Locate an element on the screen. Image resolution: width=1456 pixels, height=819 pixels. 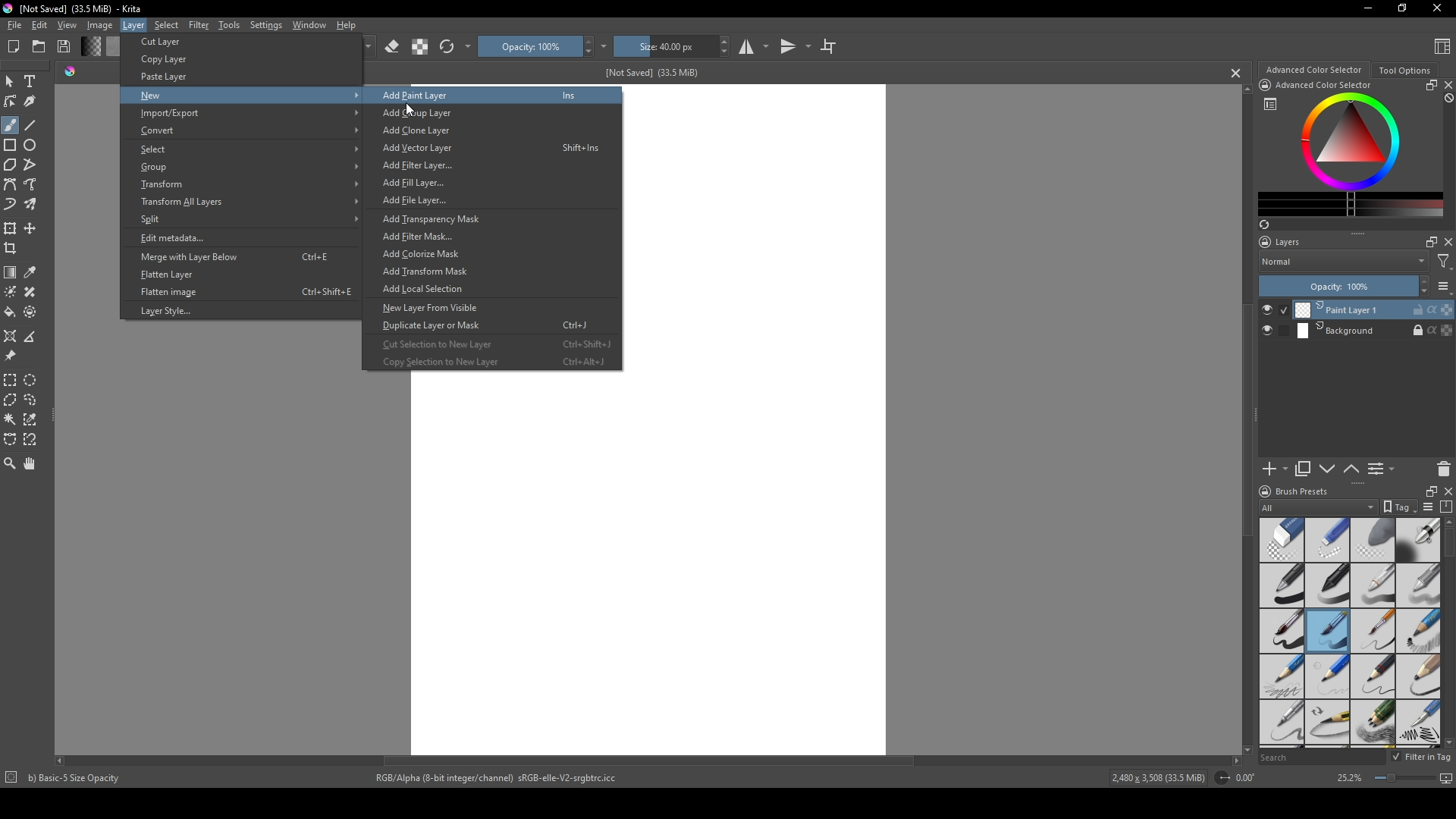
calligraphy pen is located at coordinates (1418, 724).